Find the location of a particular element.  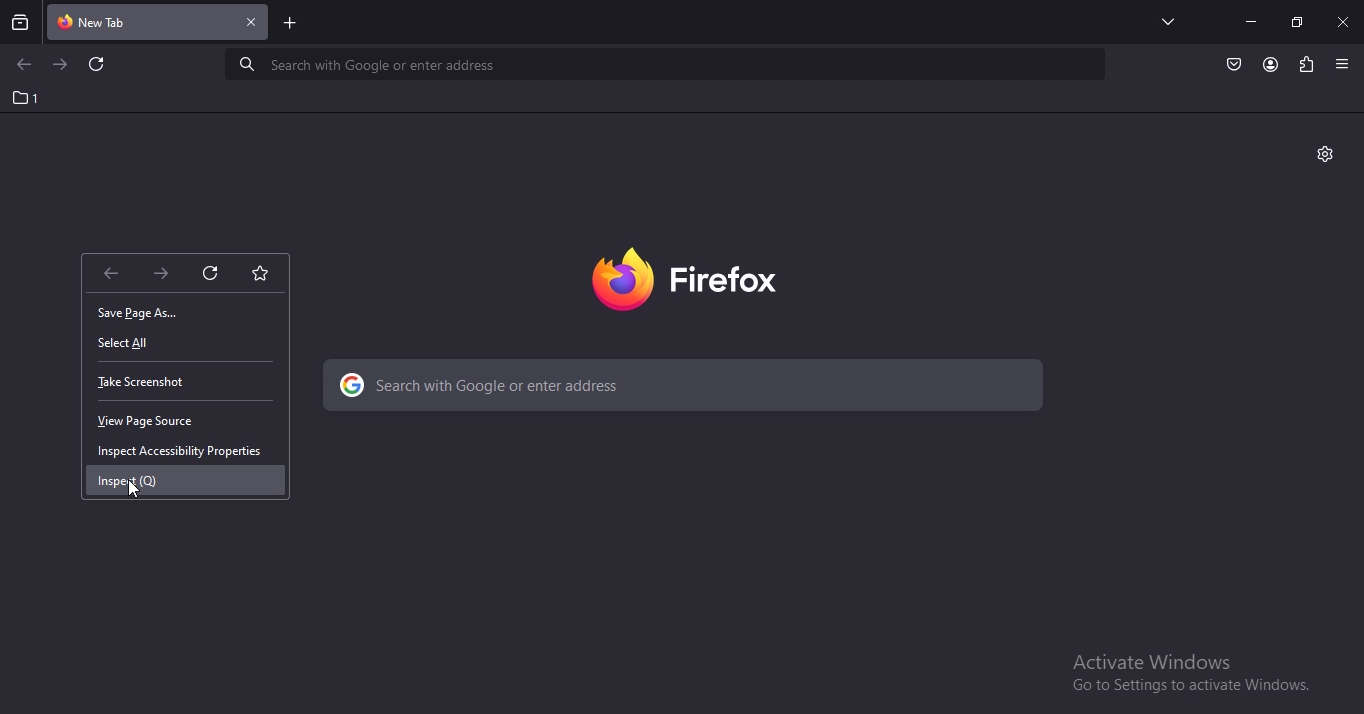

open application menu is located at coordinates (1342, 65).